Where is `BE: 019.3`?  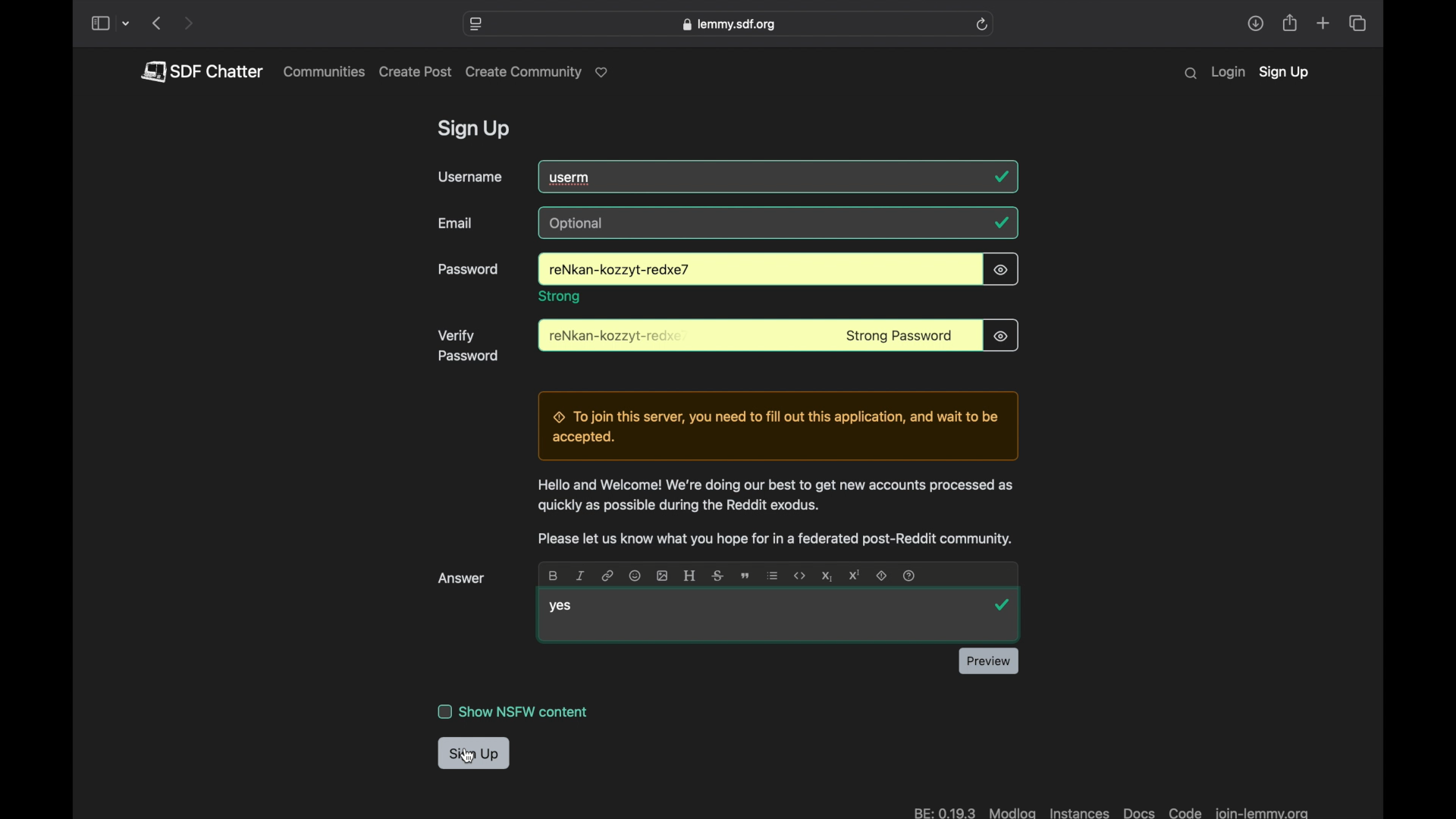 BE: 019.3 is located at coordinates (943, 811).